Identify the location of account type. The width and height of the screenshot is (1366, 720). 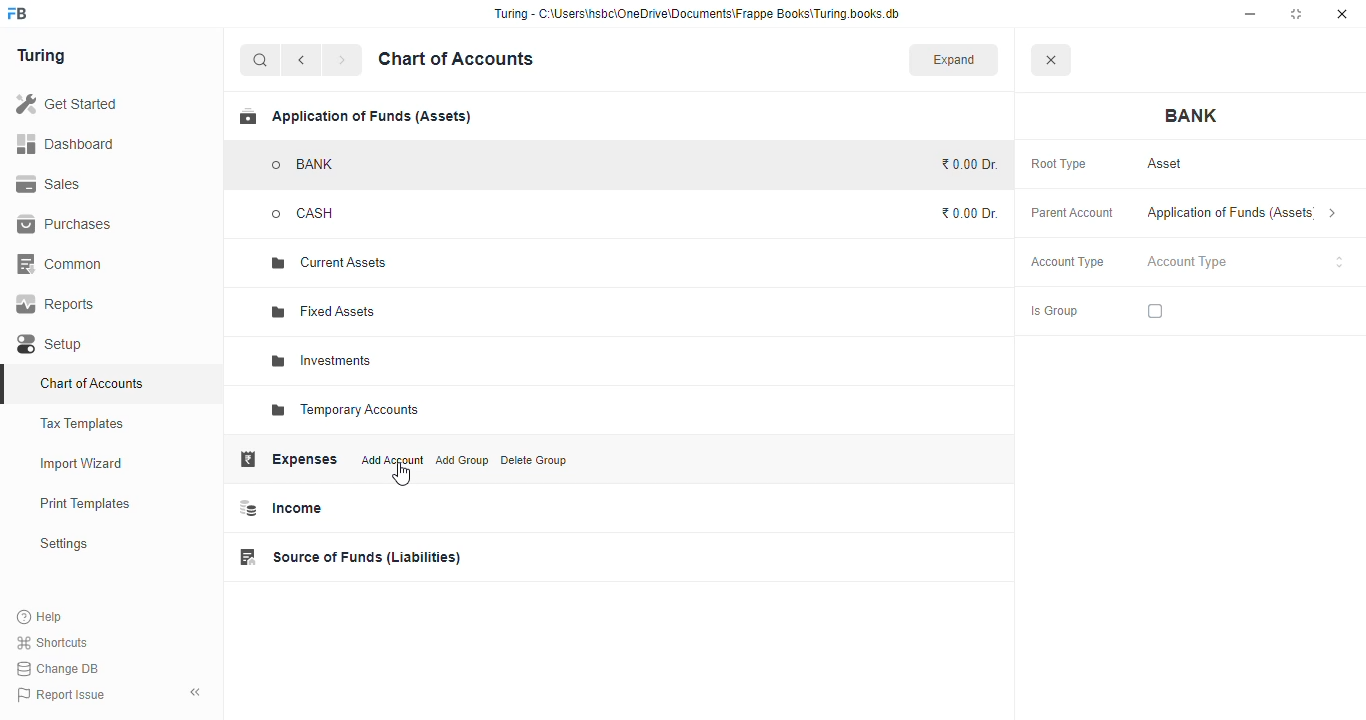
(1068, 262).